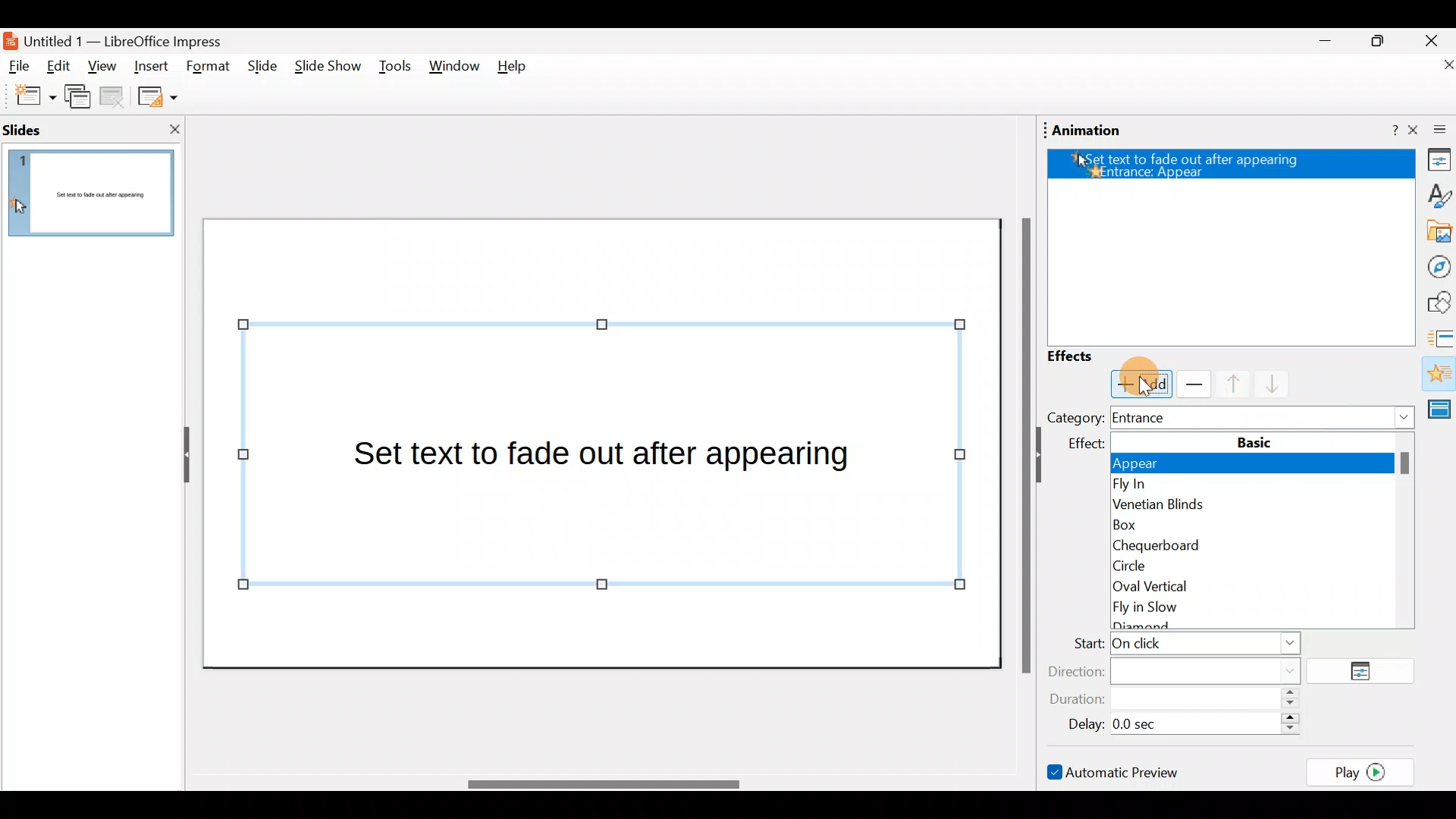 This screenshot has width=1456, height=819. What do you see at coordinates (326, 70) in the screenshot?
I see `Slide show` at bounding box center [326, 70].